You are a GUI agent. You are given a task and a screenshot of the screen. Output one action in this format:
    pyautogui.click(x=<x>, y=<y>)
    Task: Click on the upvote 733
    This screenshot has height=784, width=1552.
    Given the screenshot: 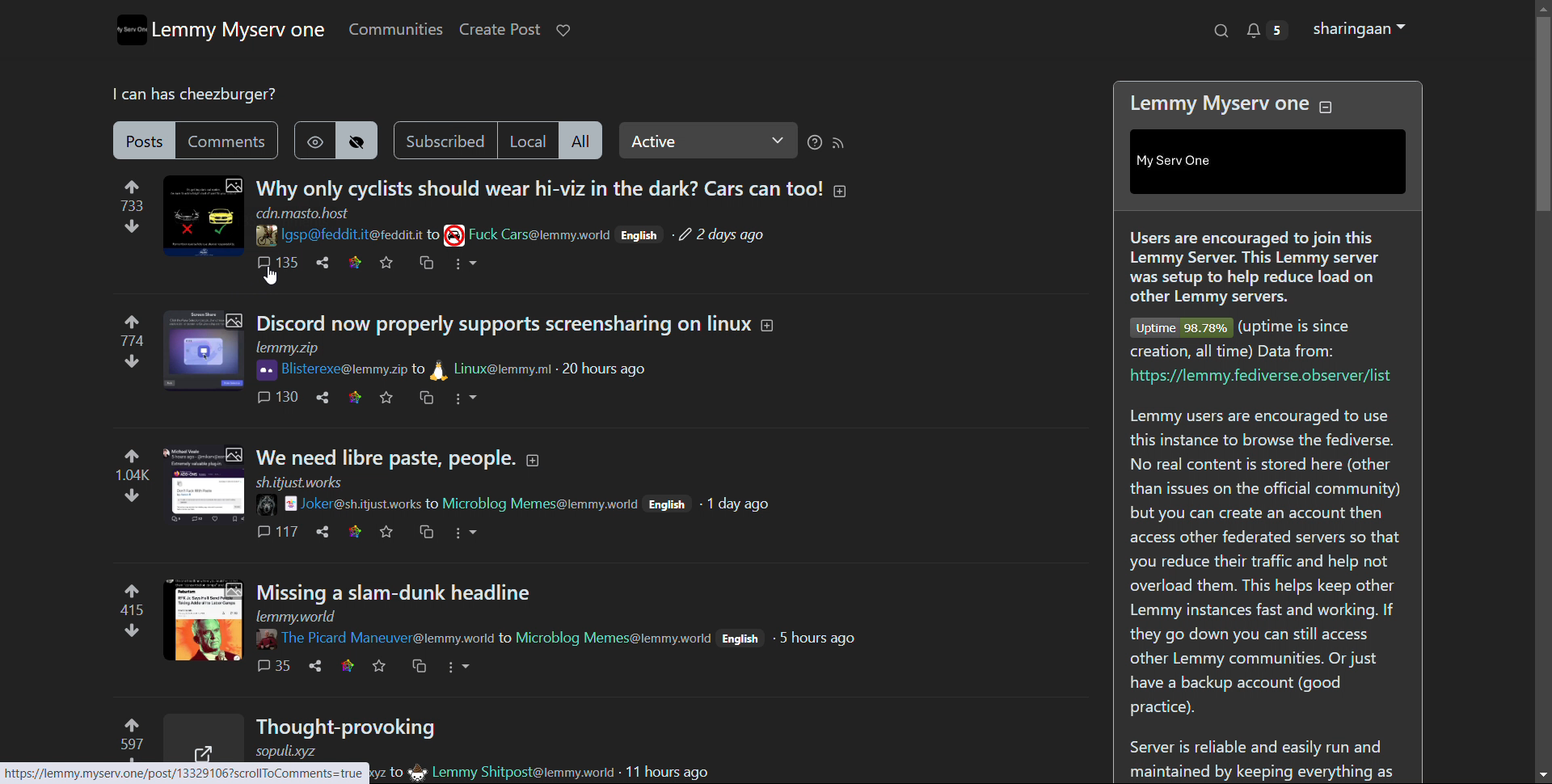 What is the action you would take?
    pyautogui.click(x=133, y=194)
    